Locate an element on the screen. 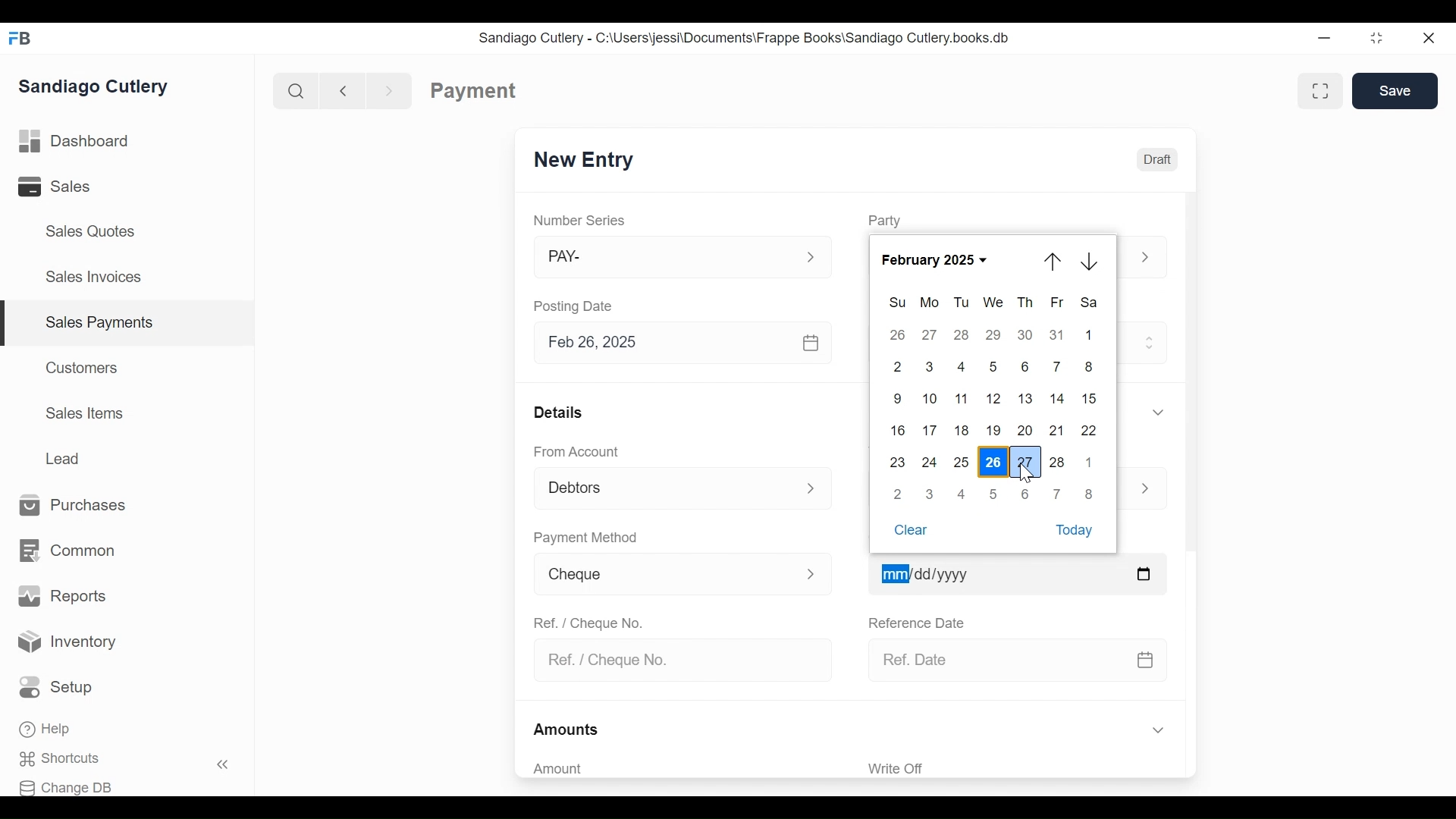 This screenshot has width=1456, height=819. Expand is located at coordinates (1157, 412).